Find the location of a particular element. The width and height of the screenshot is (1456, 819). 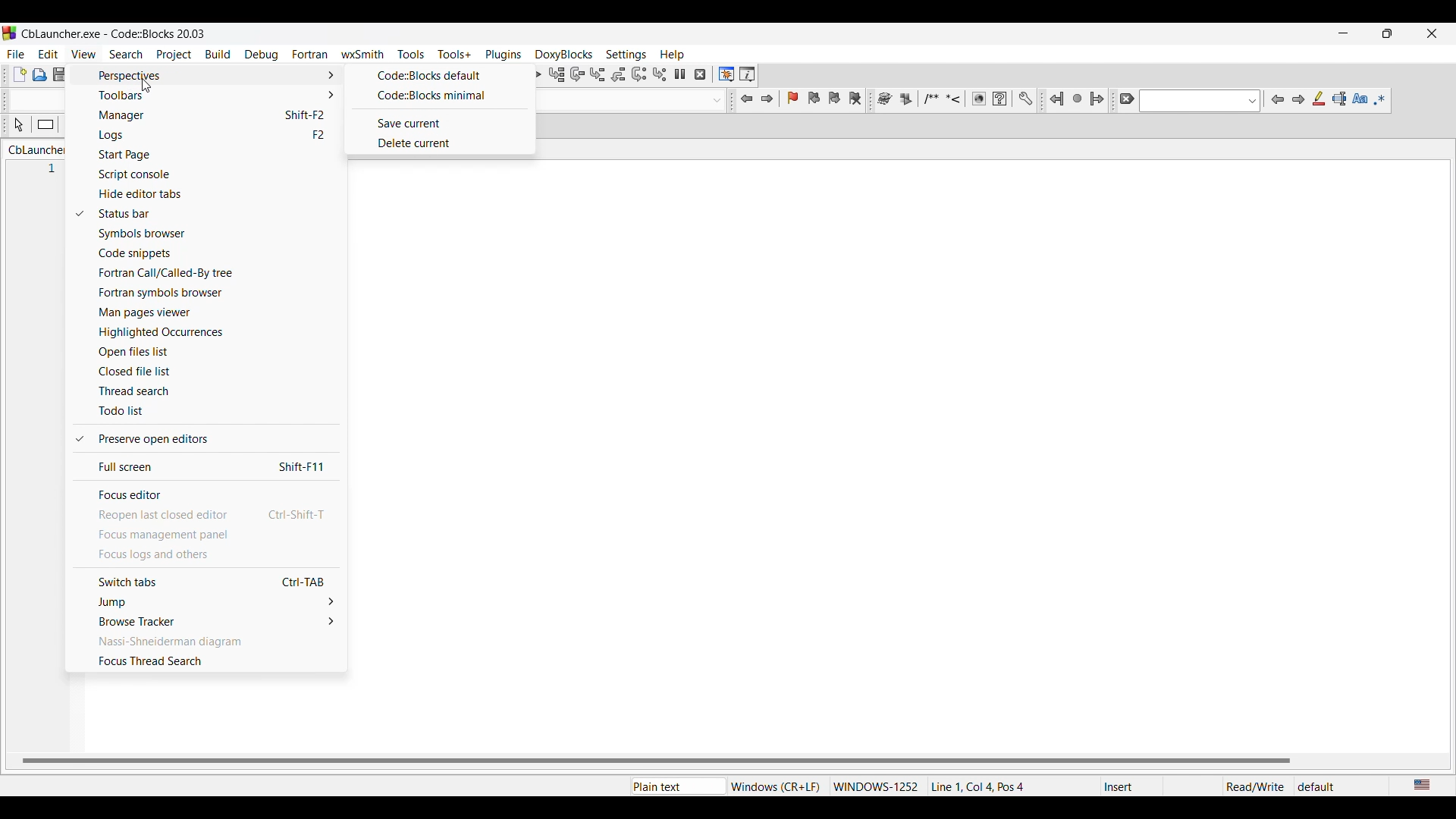

Open files list is located at coordinates (215, 353).